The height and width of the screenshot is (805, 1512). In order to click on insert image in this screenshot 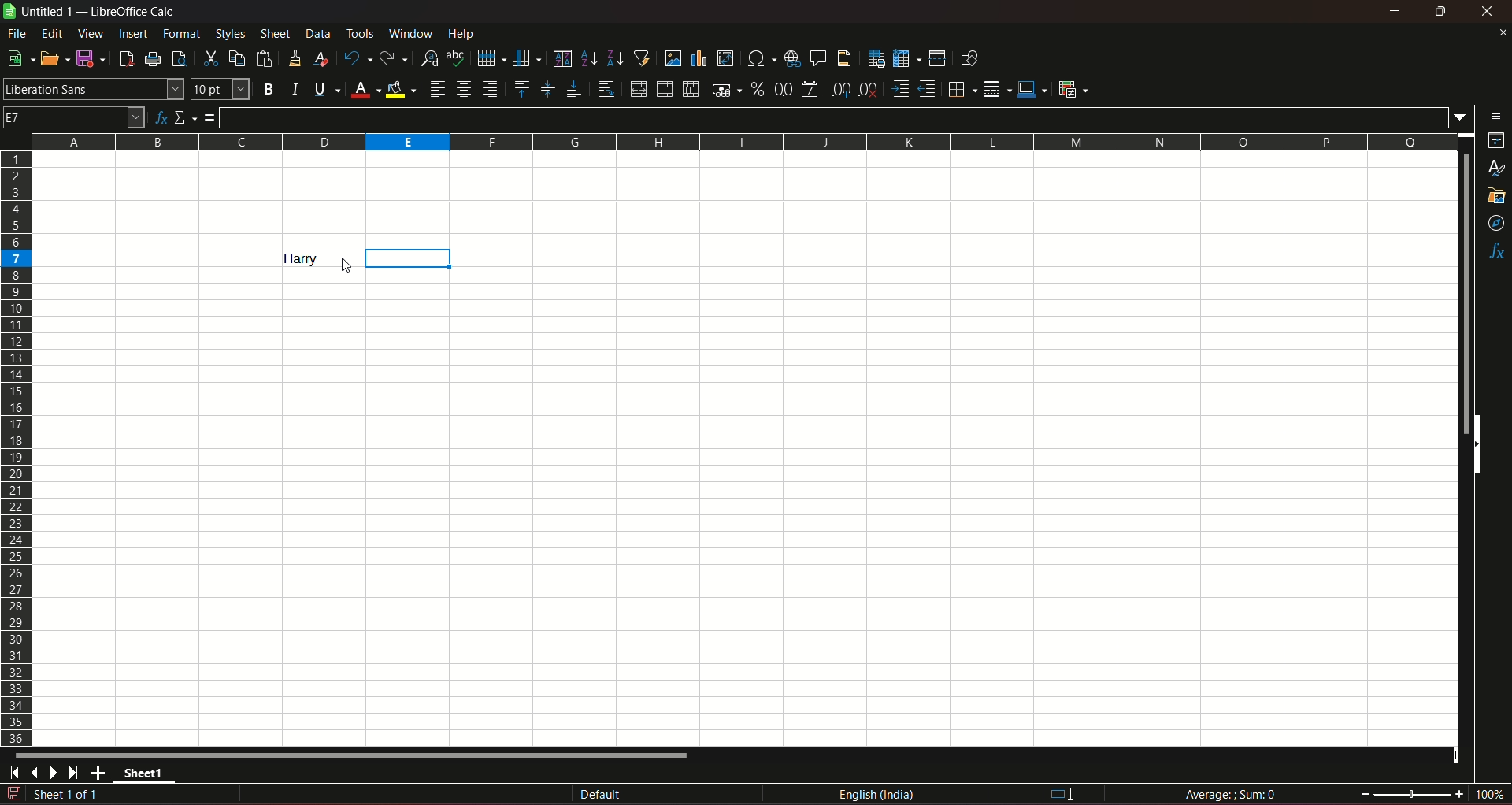, I will do `click(673, 58)`.